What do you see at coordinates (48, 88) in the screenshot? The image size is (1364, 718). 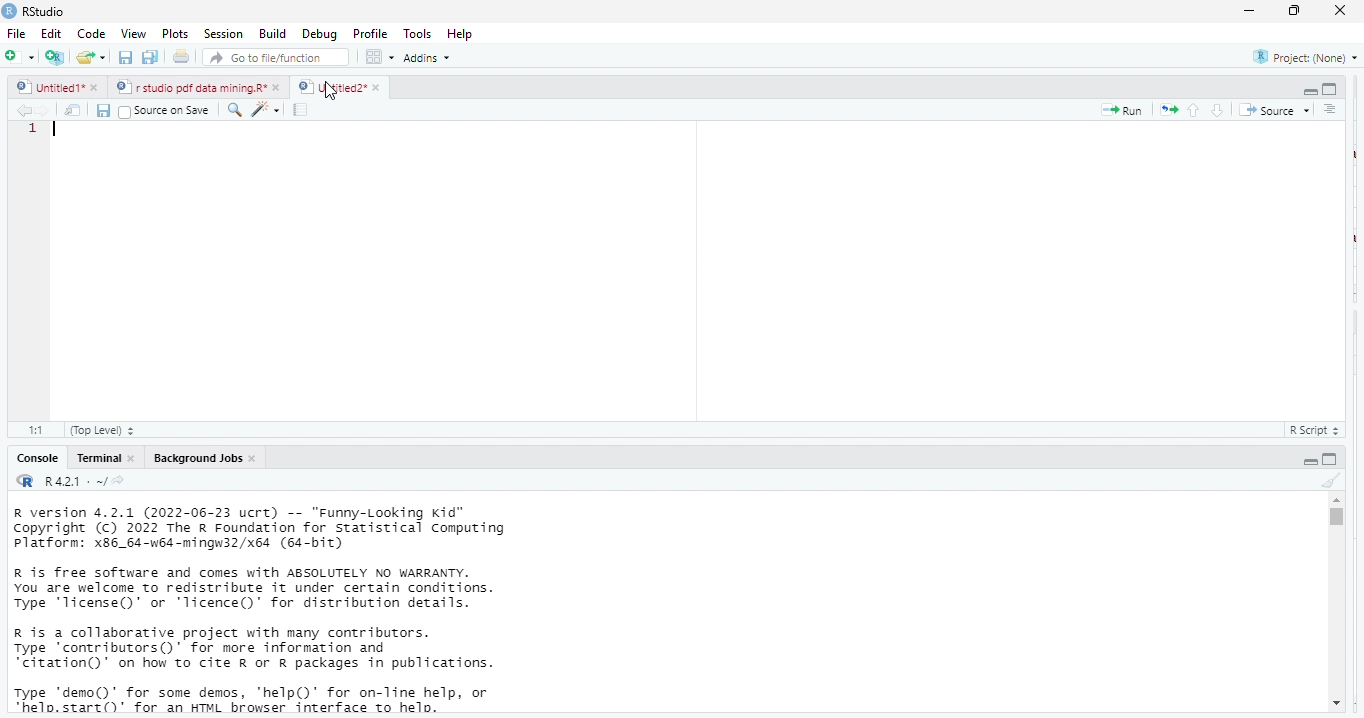 I see `untitled1` at bounding box center [48, 88].